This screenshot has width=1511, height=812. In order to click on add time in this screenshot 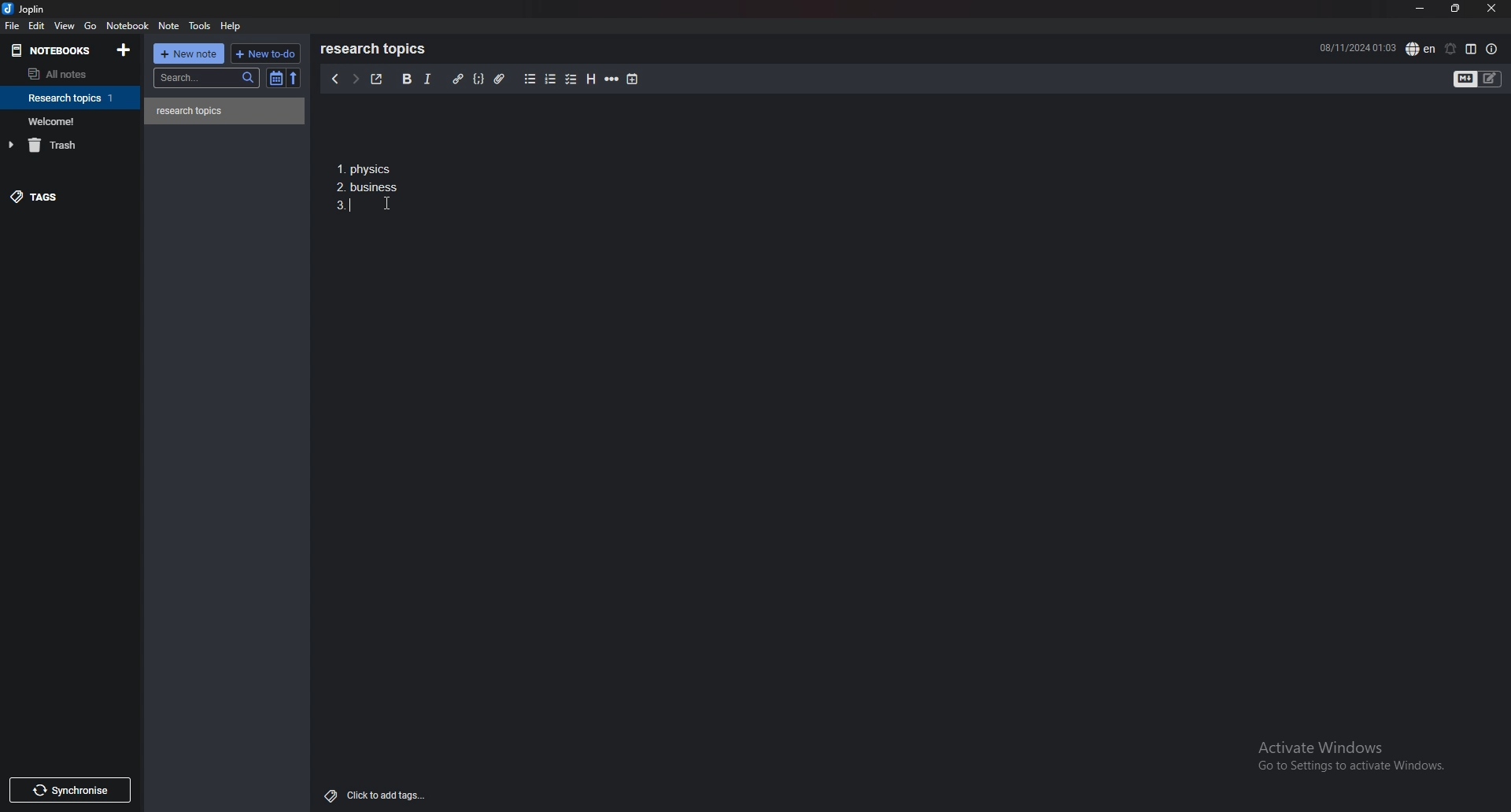, I will do `click(633, 79)`.